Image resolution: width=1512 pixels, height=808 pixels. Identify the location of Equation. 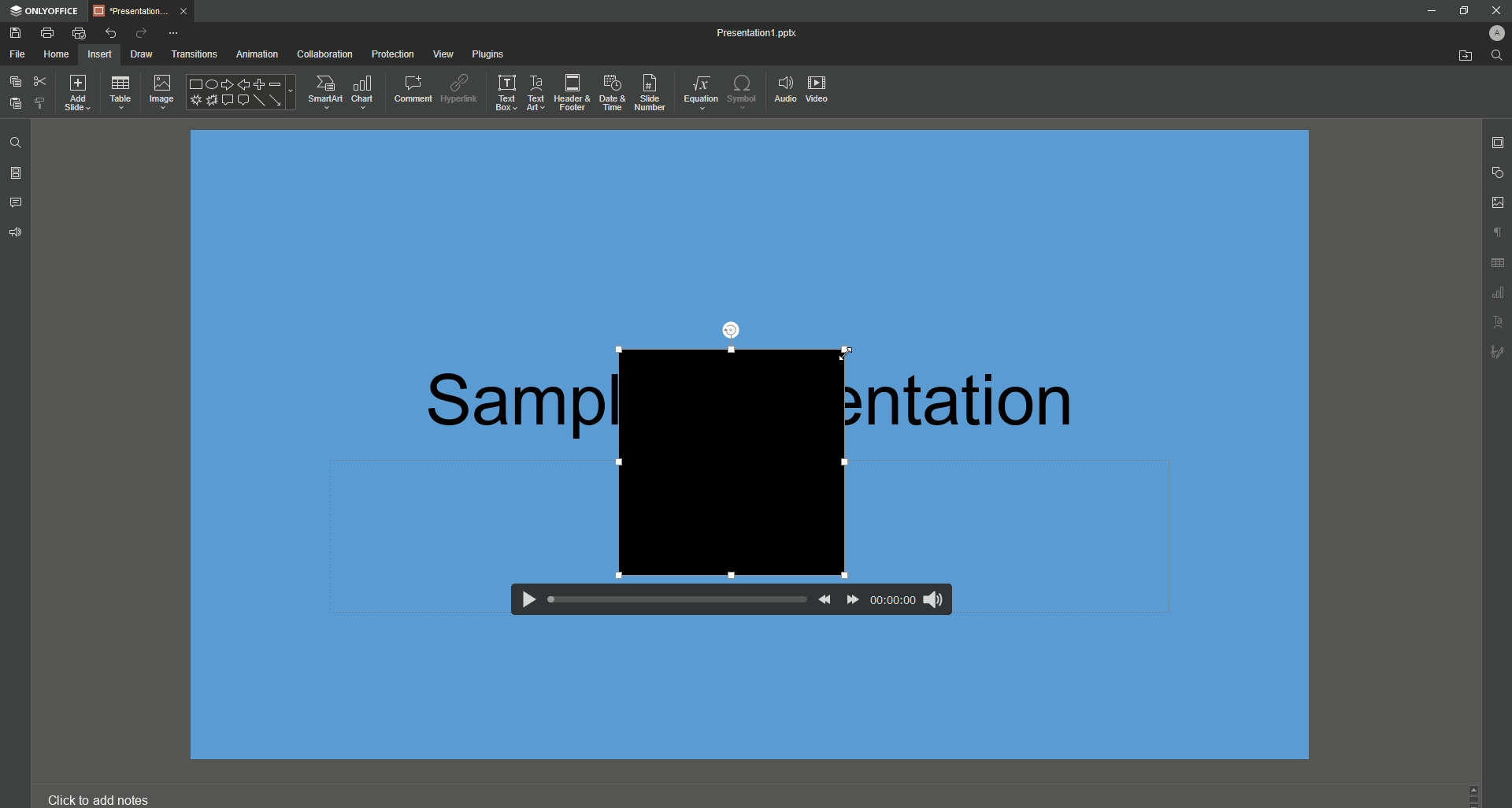
(702, 95).